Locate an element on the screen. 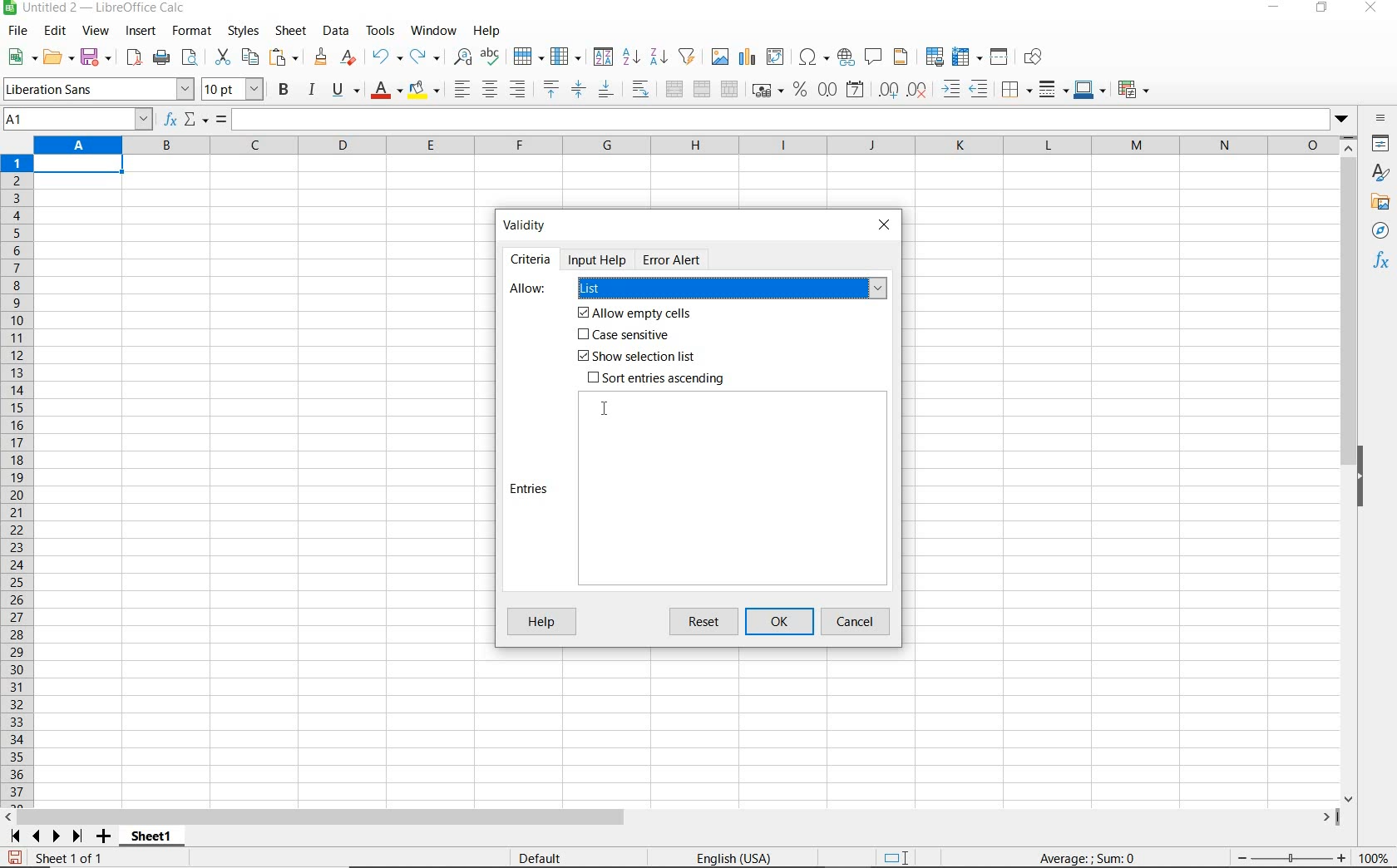  autofilter is located at coordinates (686, 57).